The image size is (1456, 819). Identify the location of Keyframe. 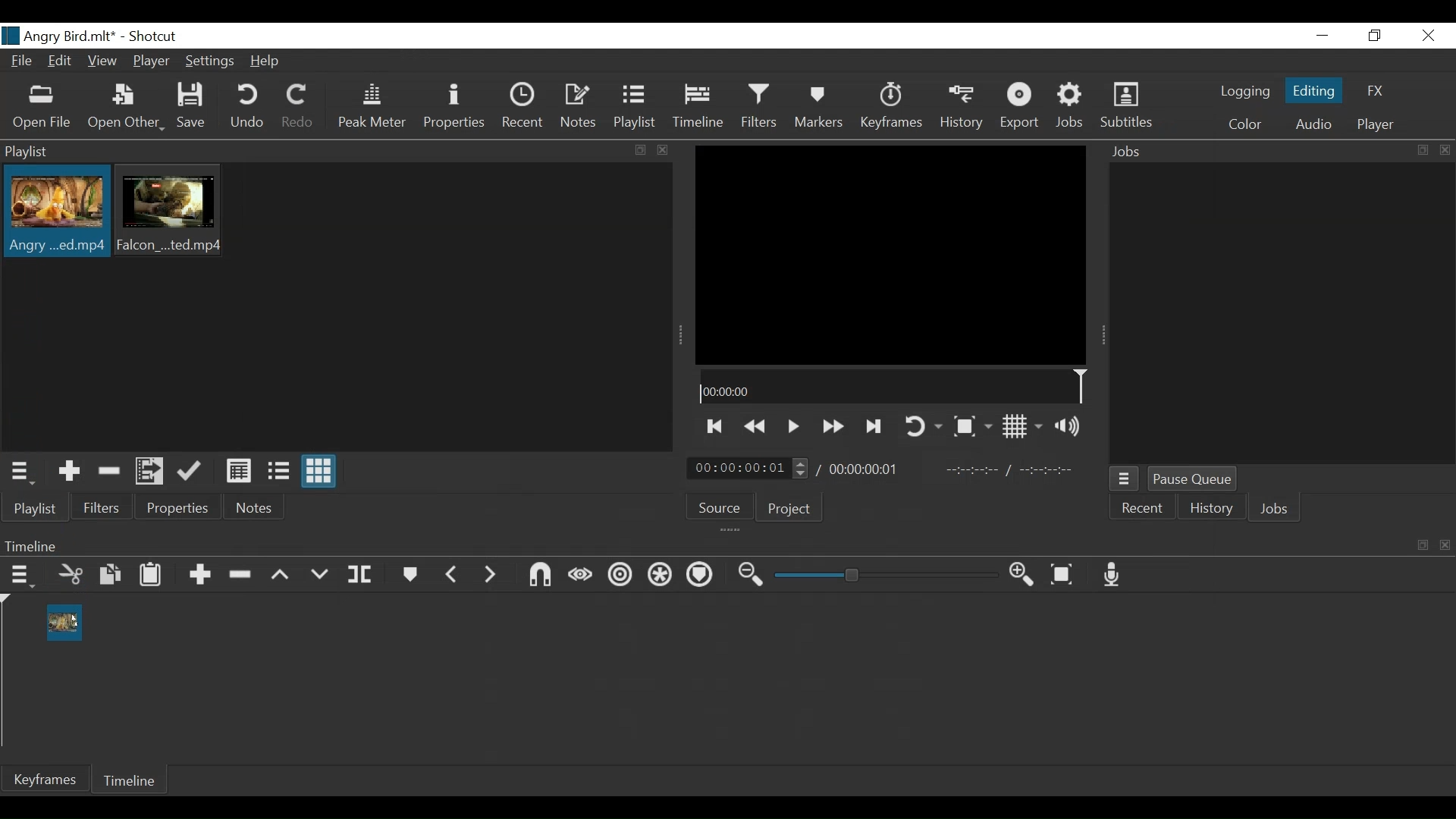
(893, 107).